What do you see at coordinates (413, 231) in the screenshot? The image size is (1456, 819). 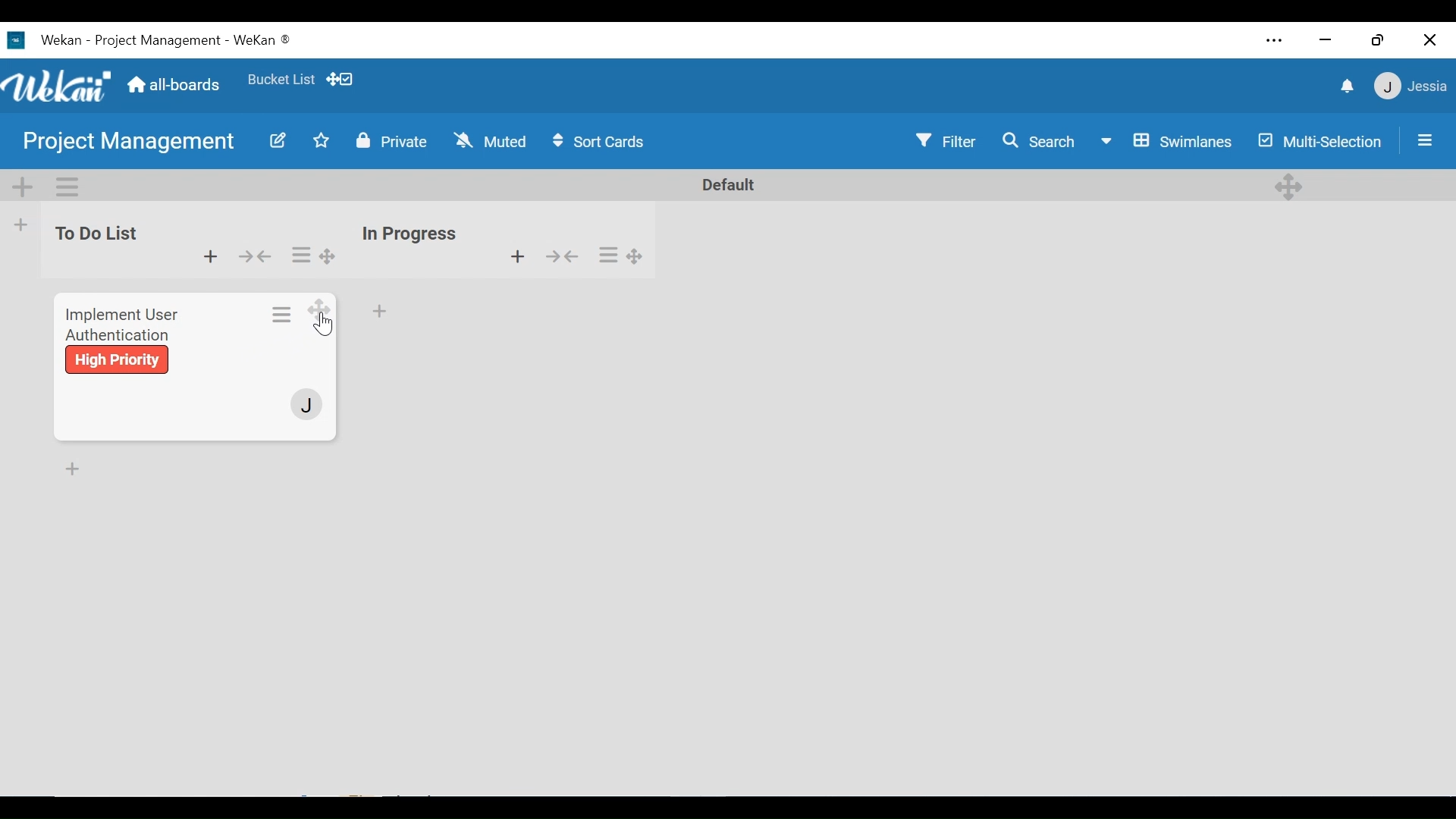 I see `In Progress` at bounding box center [413, 231].